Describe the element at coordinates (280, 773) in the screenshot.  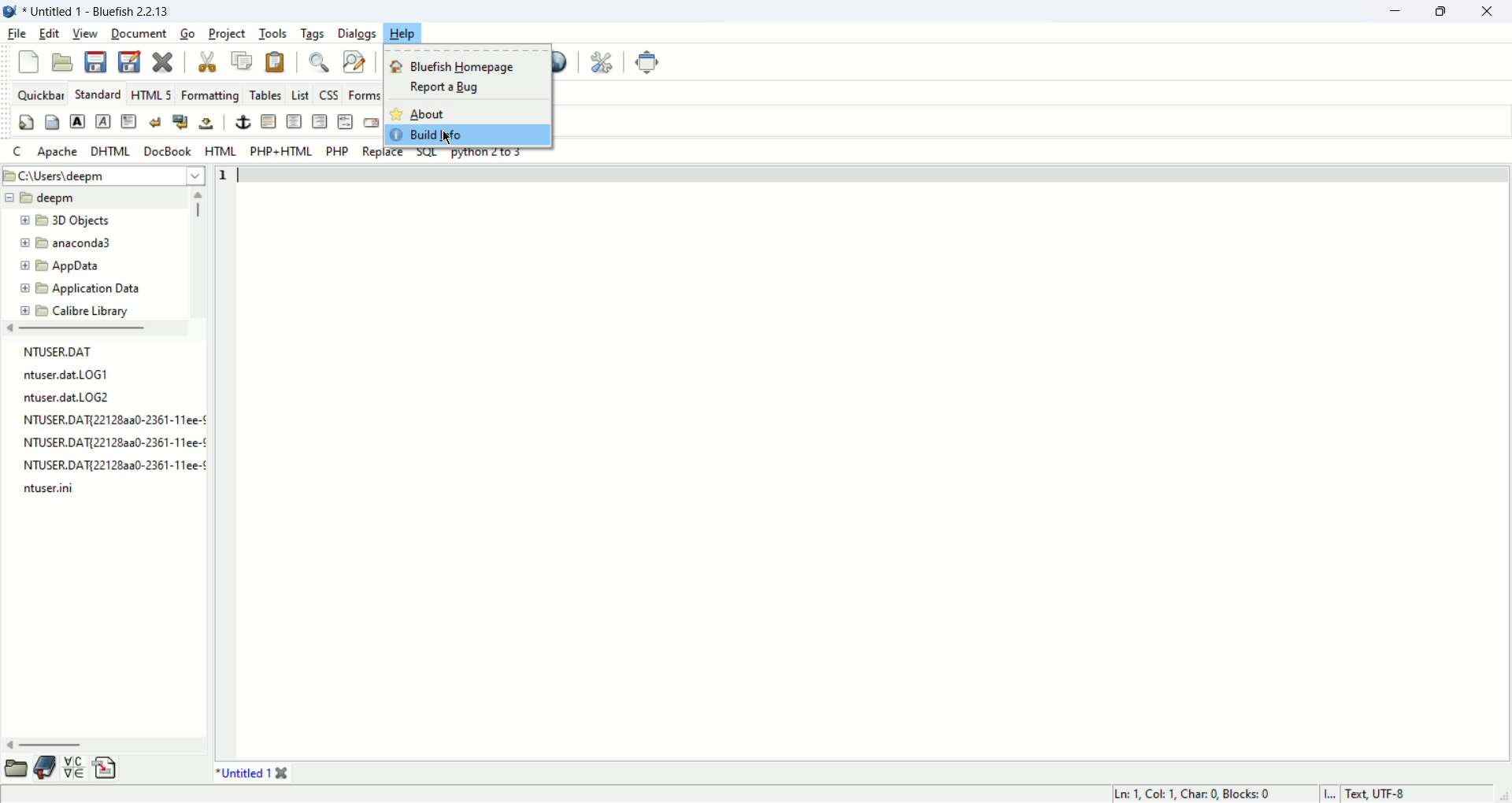
I see `close` at that location.